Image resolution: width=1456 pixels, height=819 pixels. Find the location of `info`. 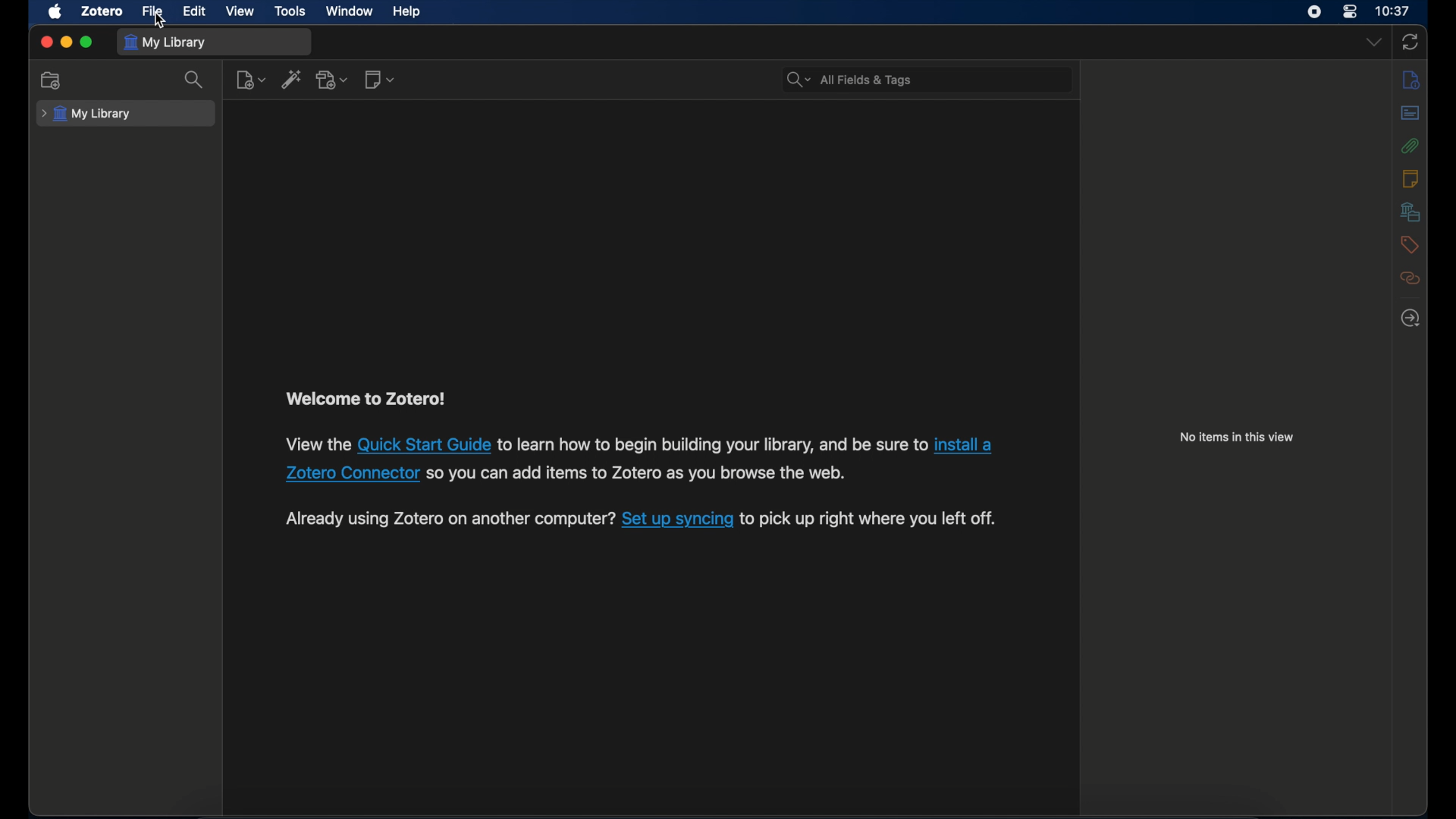

info is located at coordinates (1411, 79).